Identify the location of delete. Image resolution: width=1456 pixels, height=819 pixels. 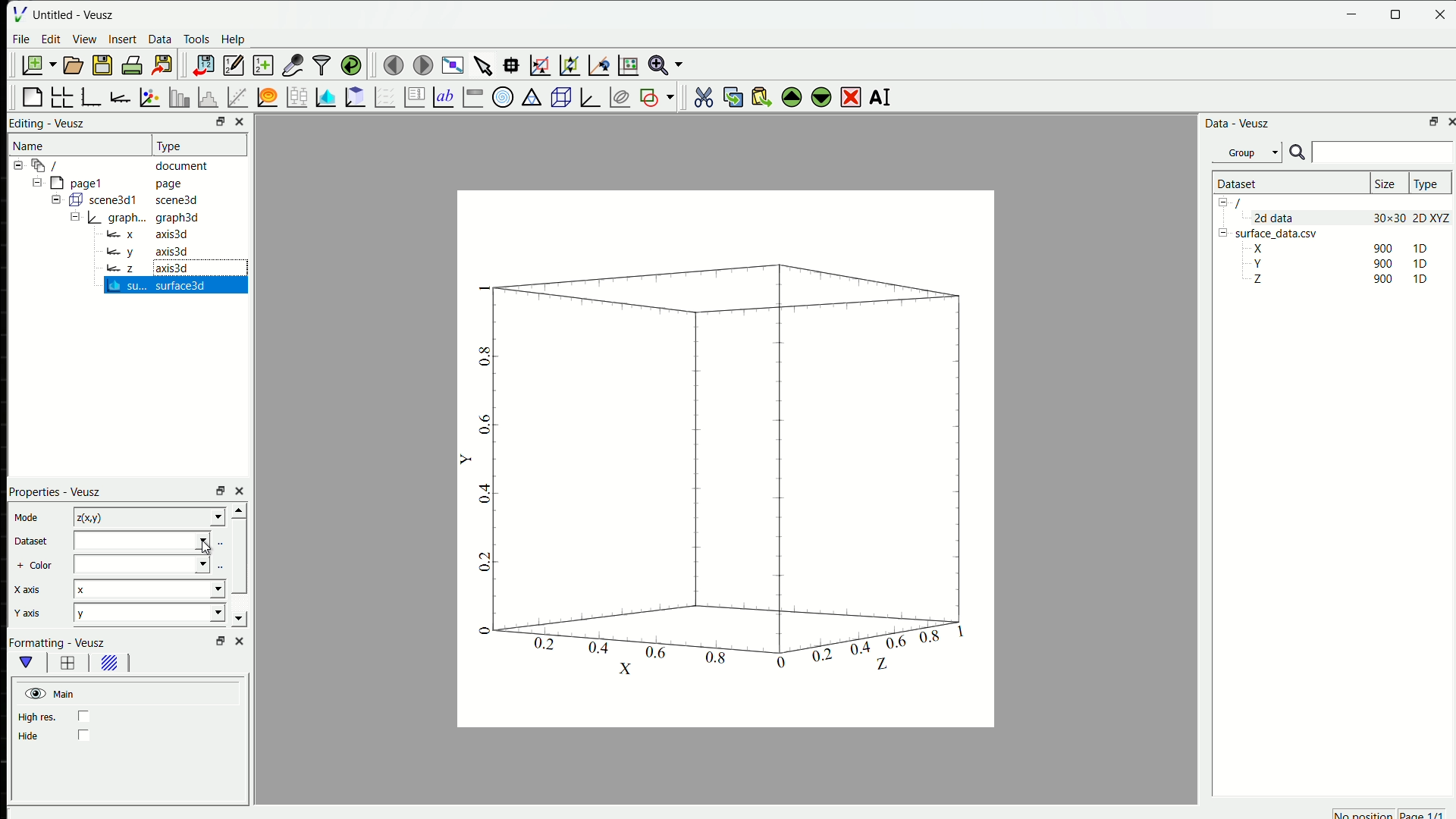
(851, 98).